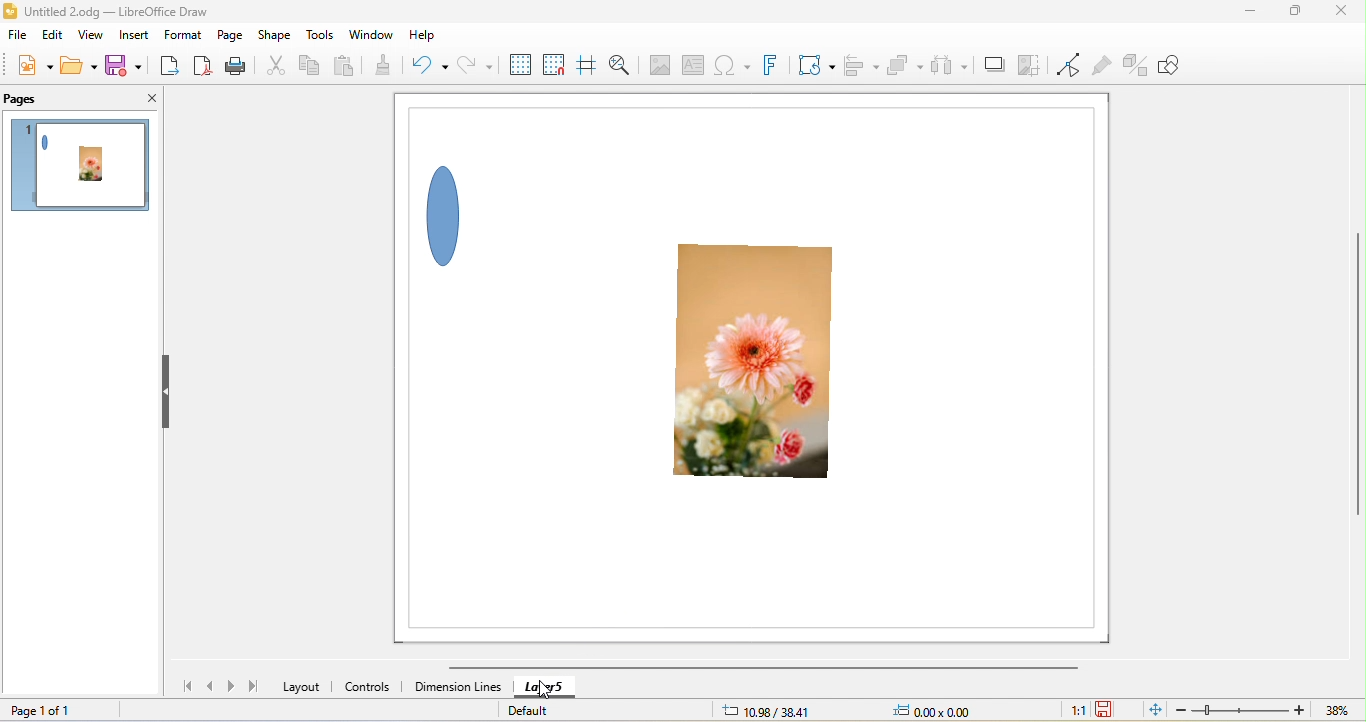 Image resolution: width=1366 pixels, height=722 pixels. Describe the element at coordinates (1337, 710) in the screenshot. I see `zoom factor` at that location.